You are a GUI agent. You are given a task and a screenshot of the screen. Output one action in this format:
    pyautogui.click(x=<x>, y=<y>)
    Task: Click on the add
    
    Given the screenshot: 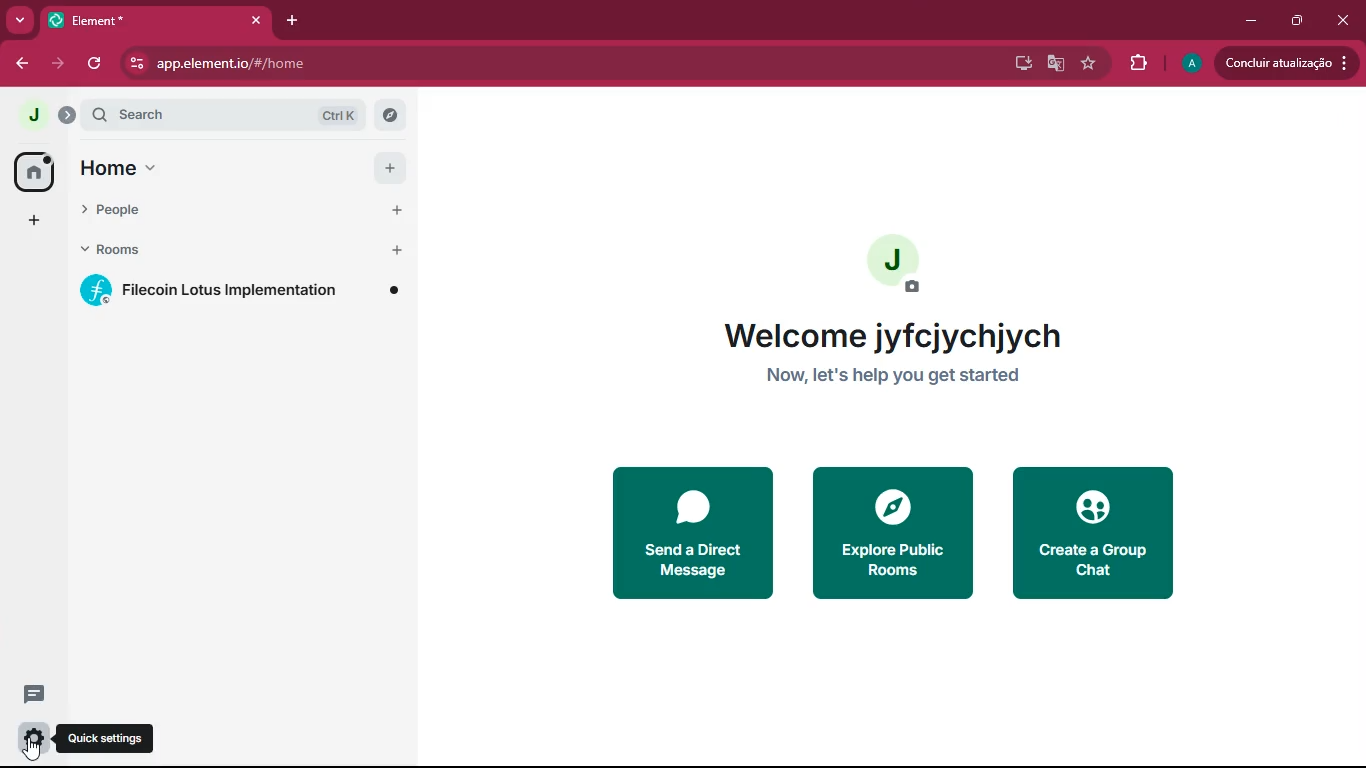 What is the action you would take?
    pyautogui.click(x=400, y=249)
    